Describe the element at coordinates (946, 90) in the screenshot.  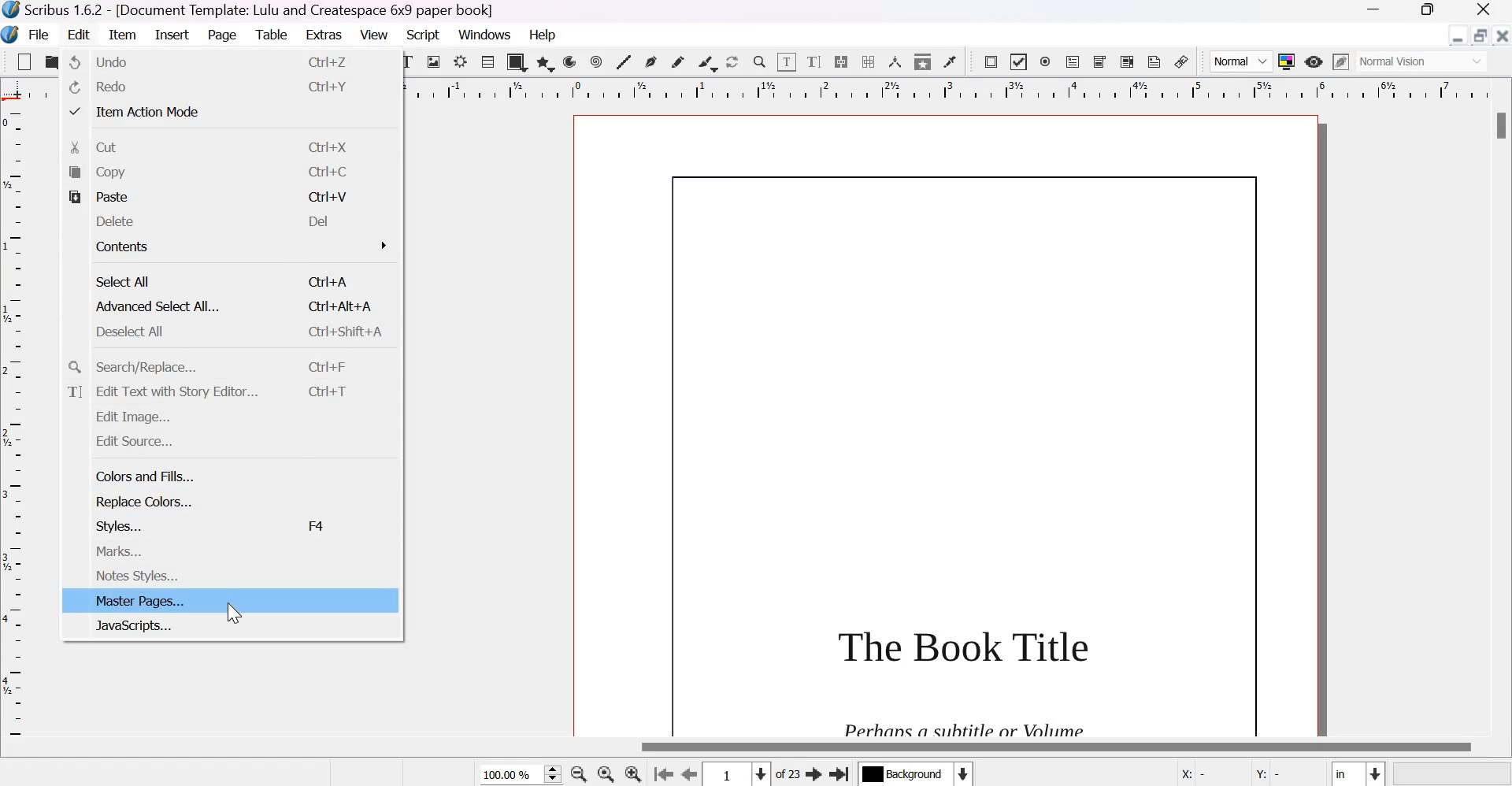
I see `horizontal scale` at that location.